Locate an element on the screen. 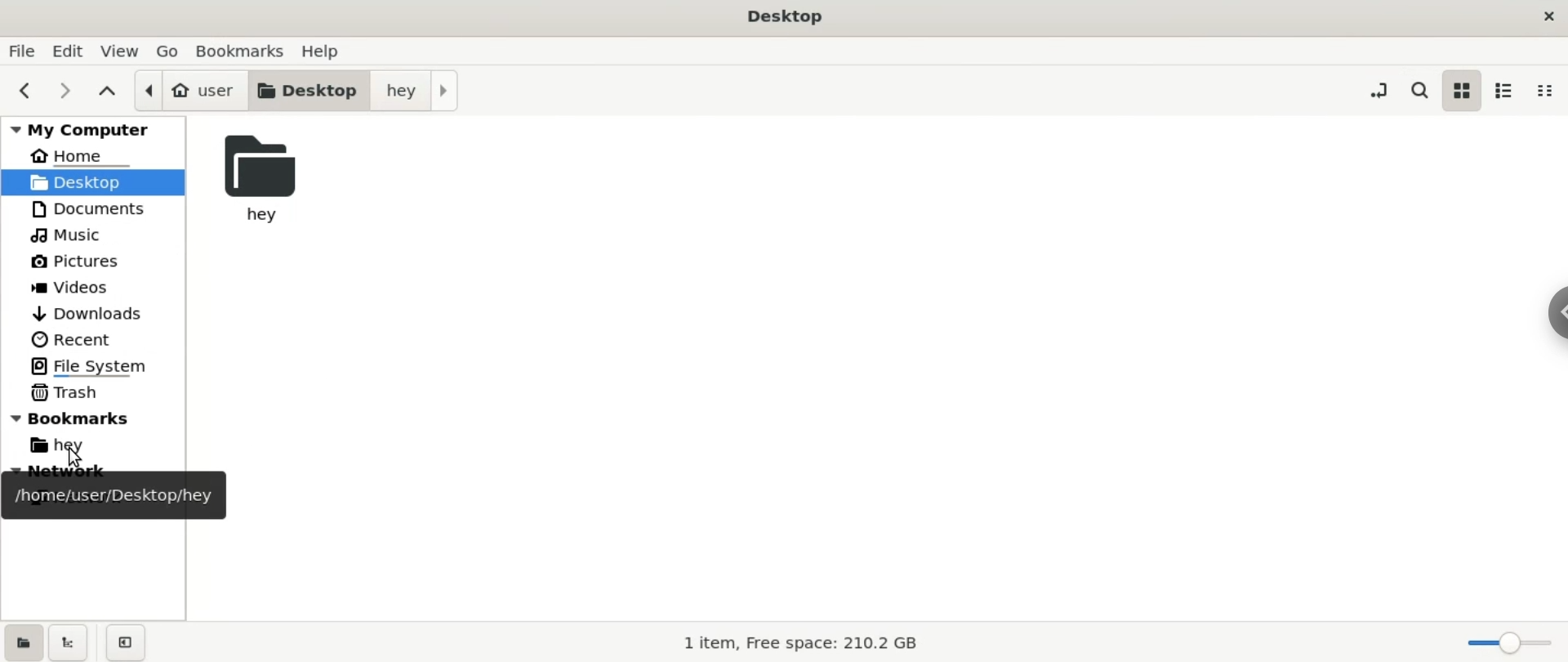 The height and width of the screenshot is (662, 1568). list view is located at coordinates (1510, 92).